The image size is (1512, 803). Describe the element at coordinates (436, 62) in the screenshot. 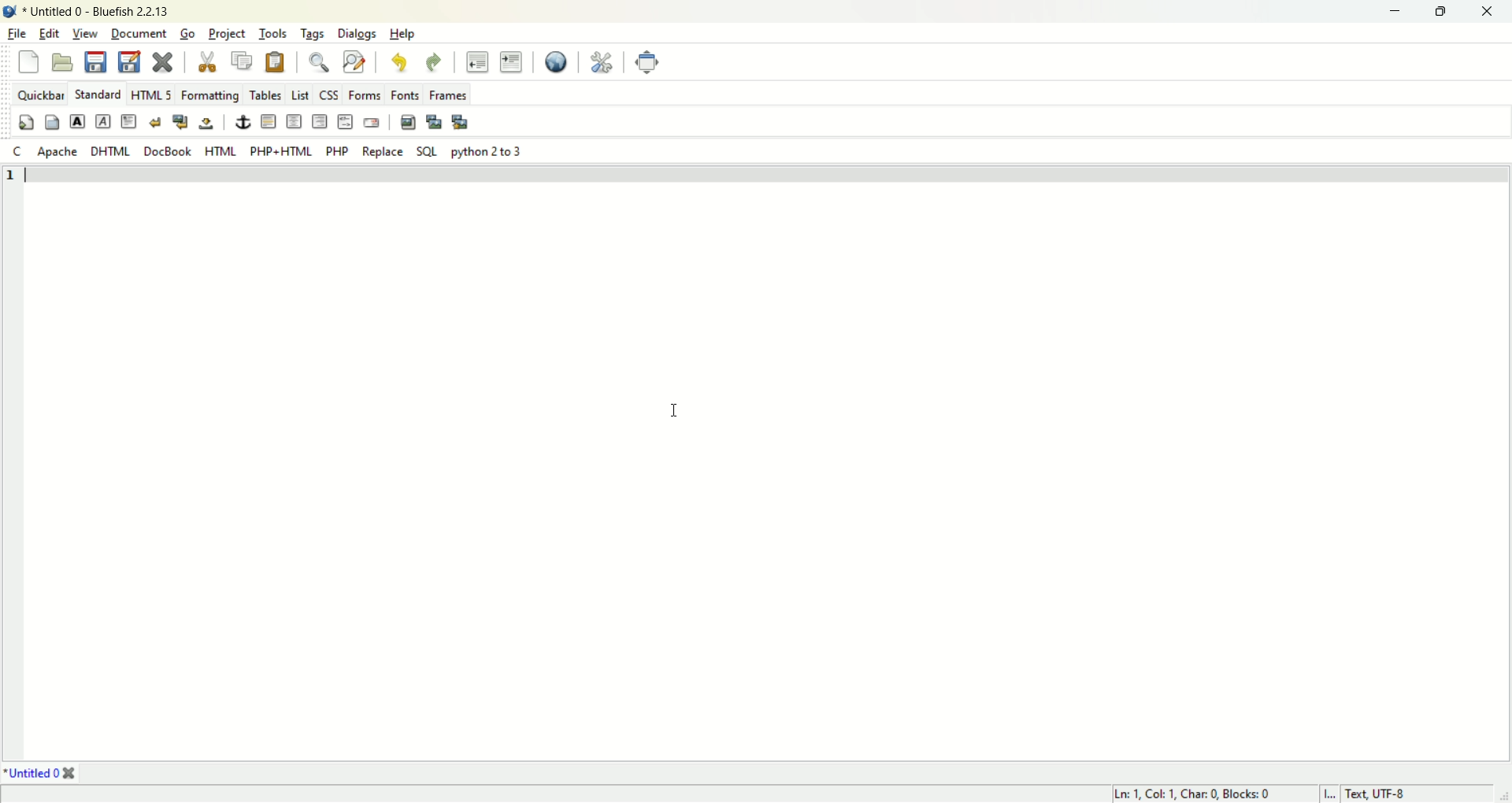

I see `redo` at that location.